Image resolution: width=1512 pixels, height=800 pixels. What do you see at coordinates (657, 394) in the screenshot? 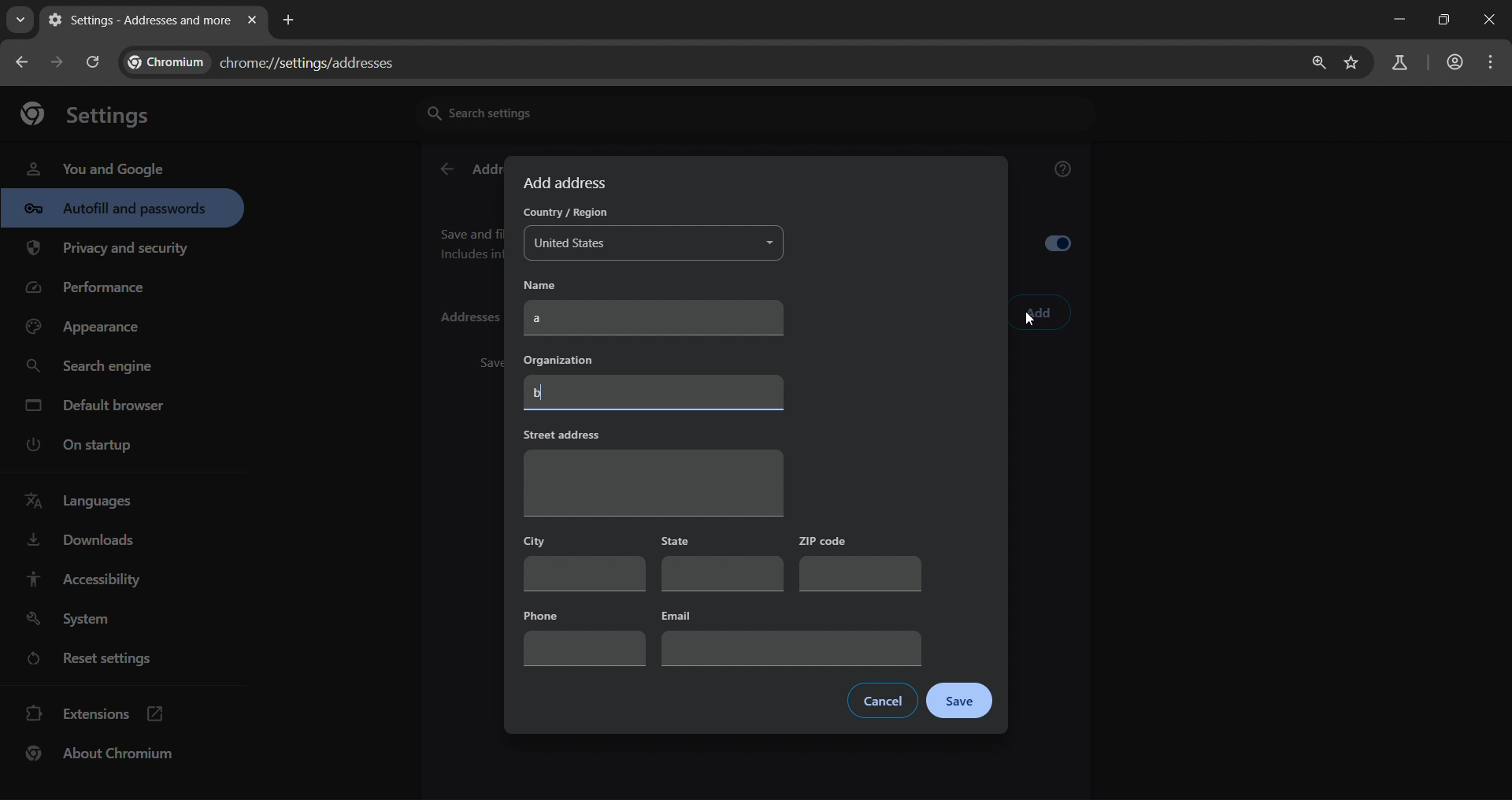
I see `b` at bounding box center [657, 394].